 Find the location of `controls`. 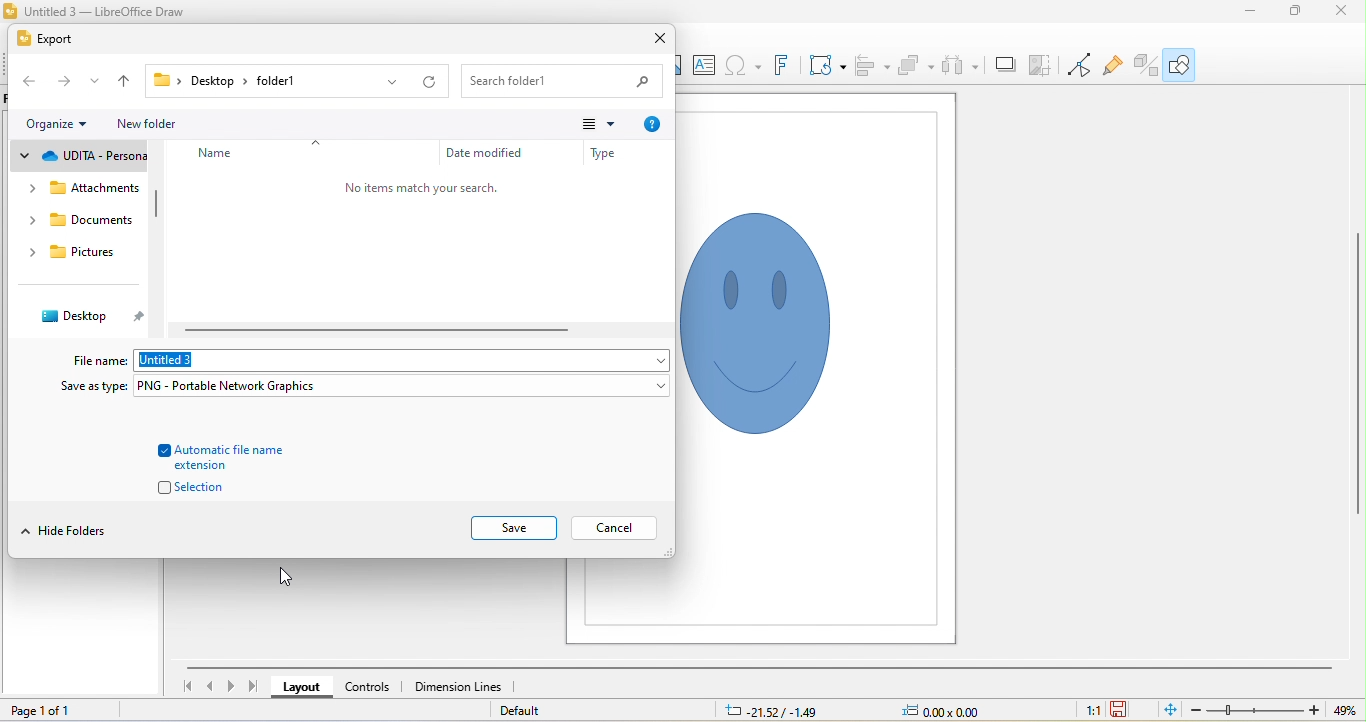

controls is located at coordinates (370, 687).